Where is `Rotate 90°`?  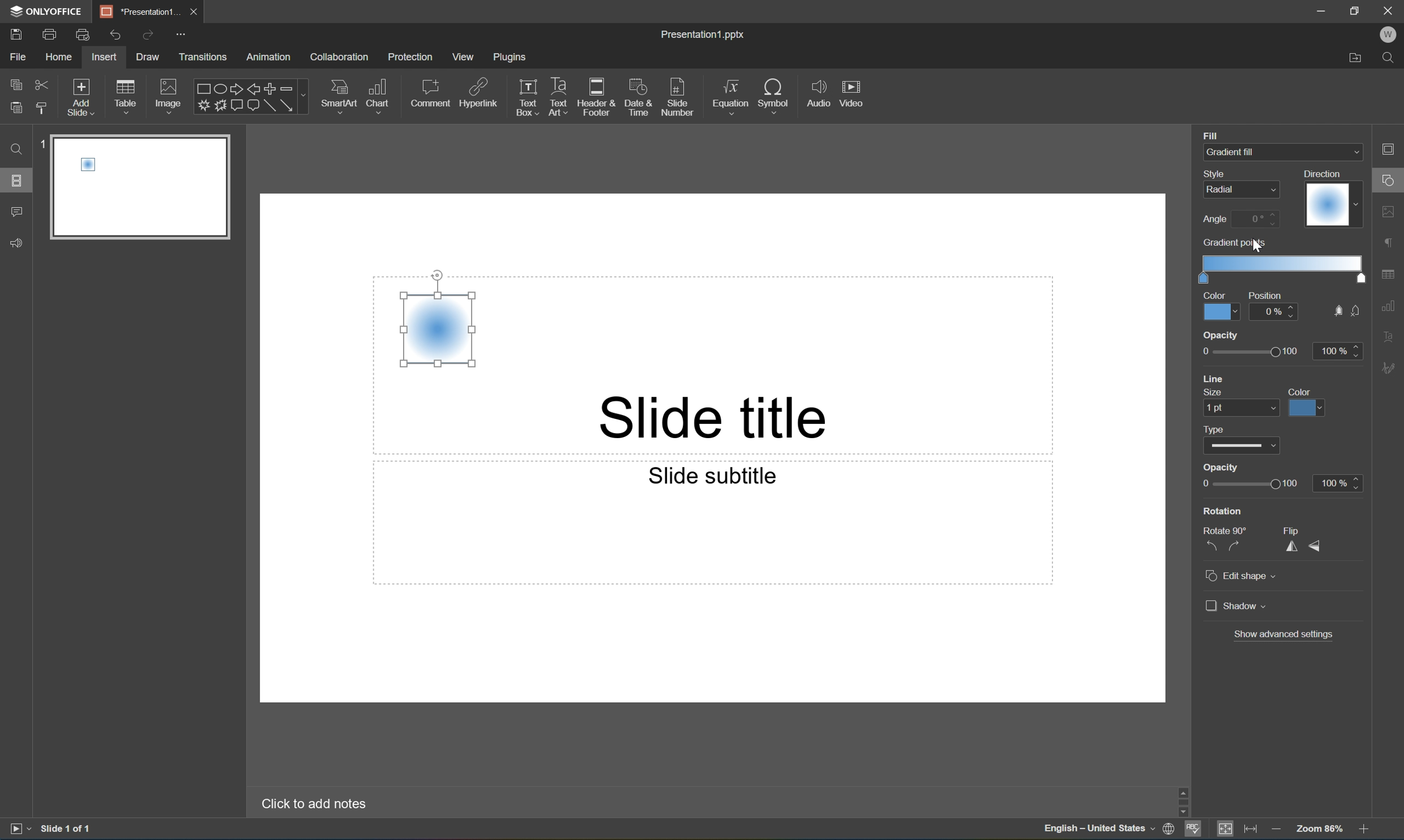
Rotate 90° is located at coordinates (1227, 532).